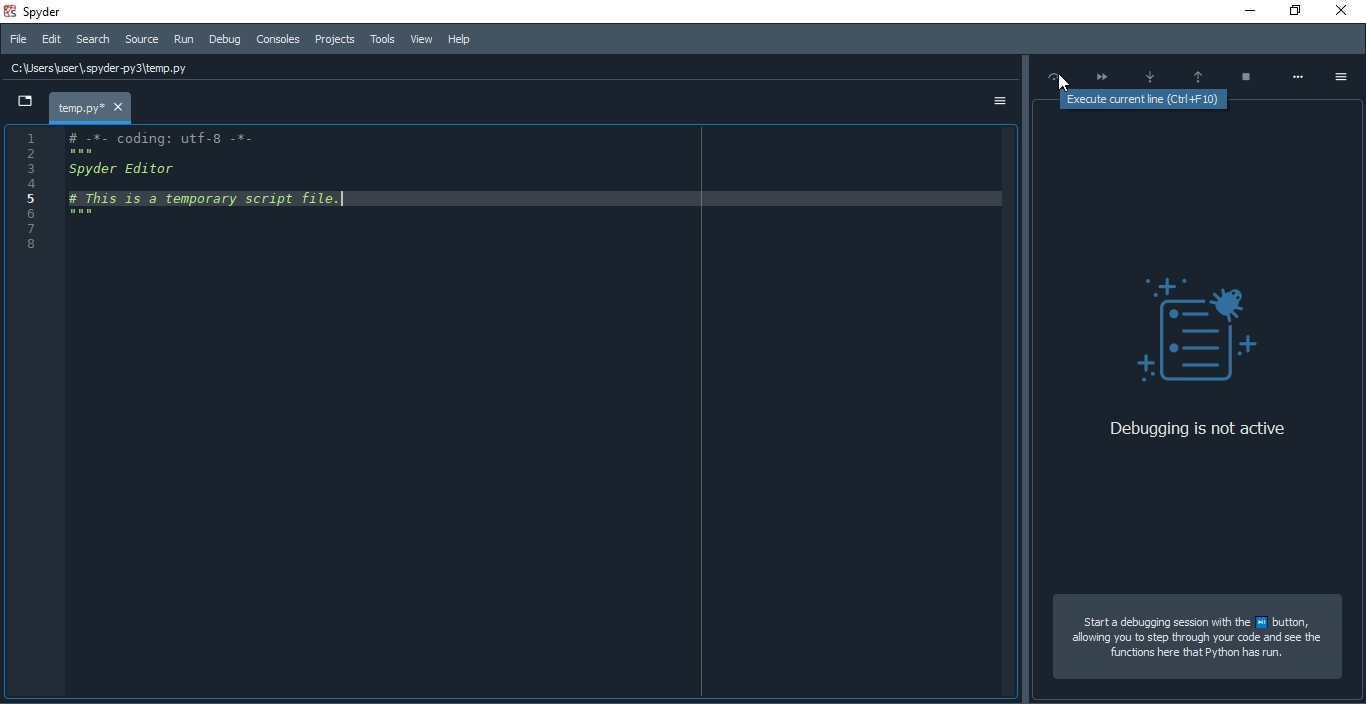 The image size is (1366, 704). What do you see at coordinates (25, 101) in the screenshot?
I see `dropdown` at bounding box center [25, 101].